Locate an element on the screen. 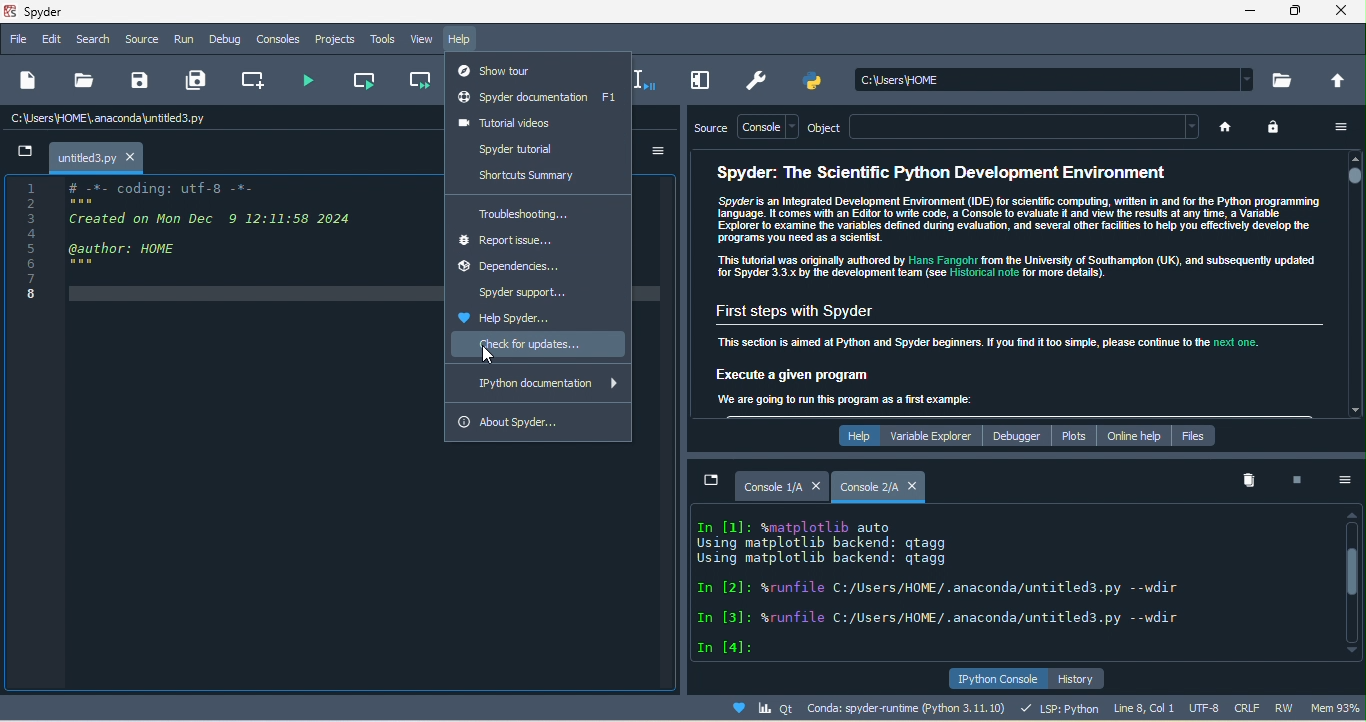 Image resolution: width=1366 pixels, height=722 pixels. run current cell is located at coordinates (366, 81).